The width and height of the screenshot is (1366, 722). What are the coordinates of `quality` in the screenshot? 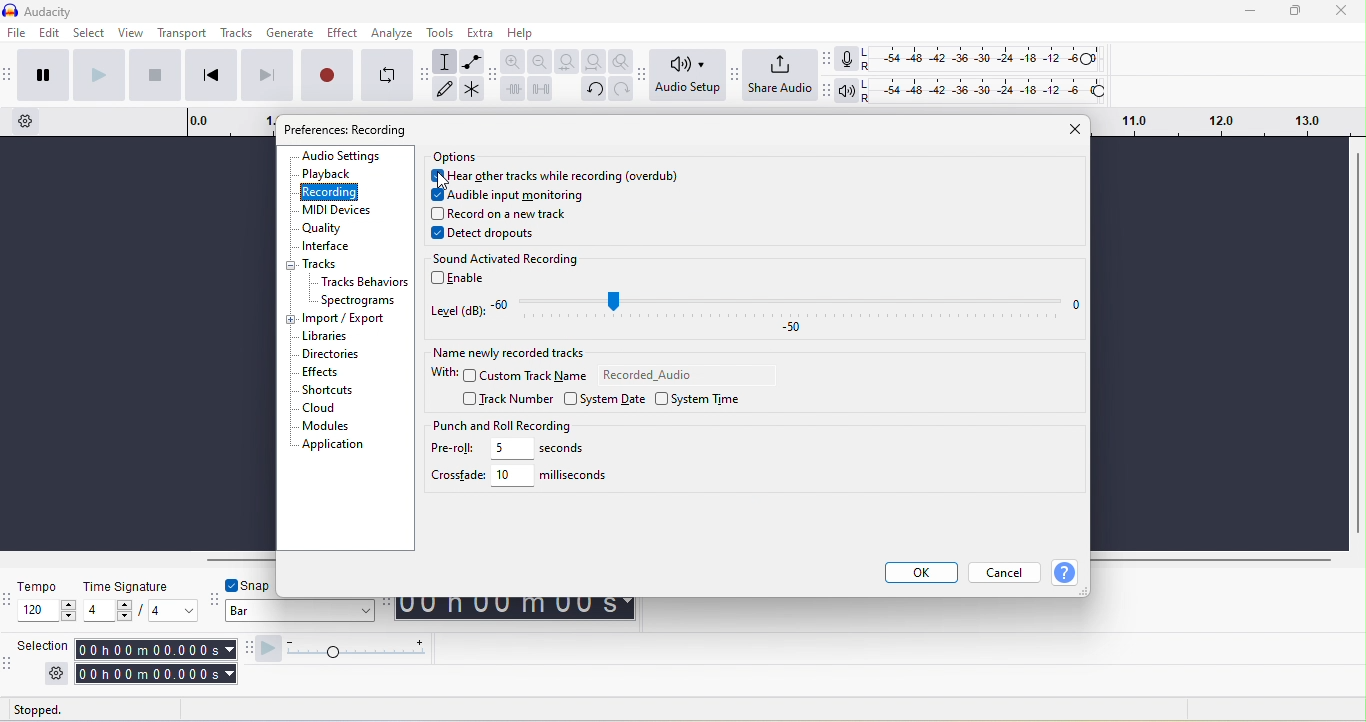 It's located at (321, 228).